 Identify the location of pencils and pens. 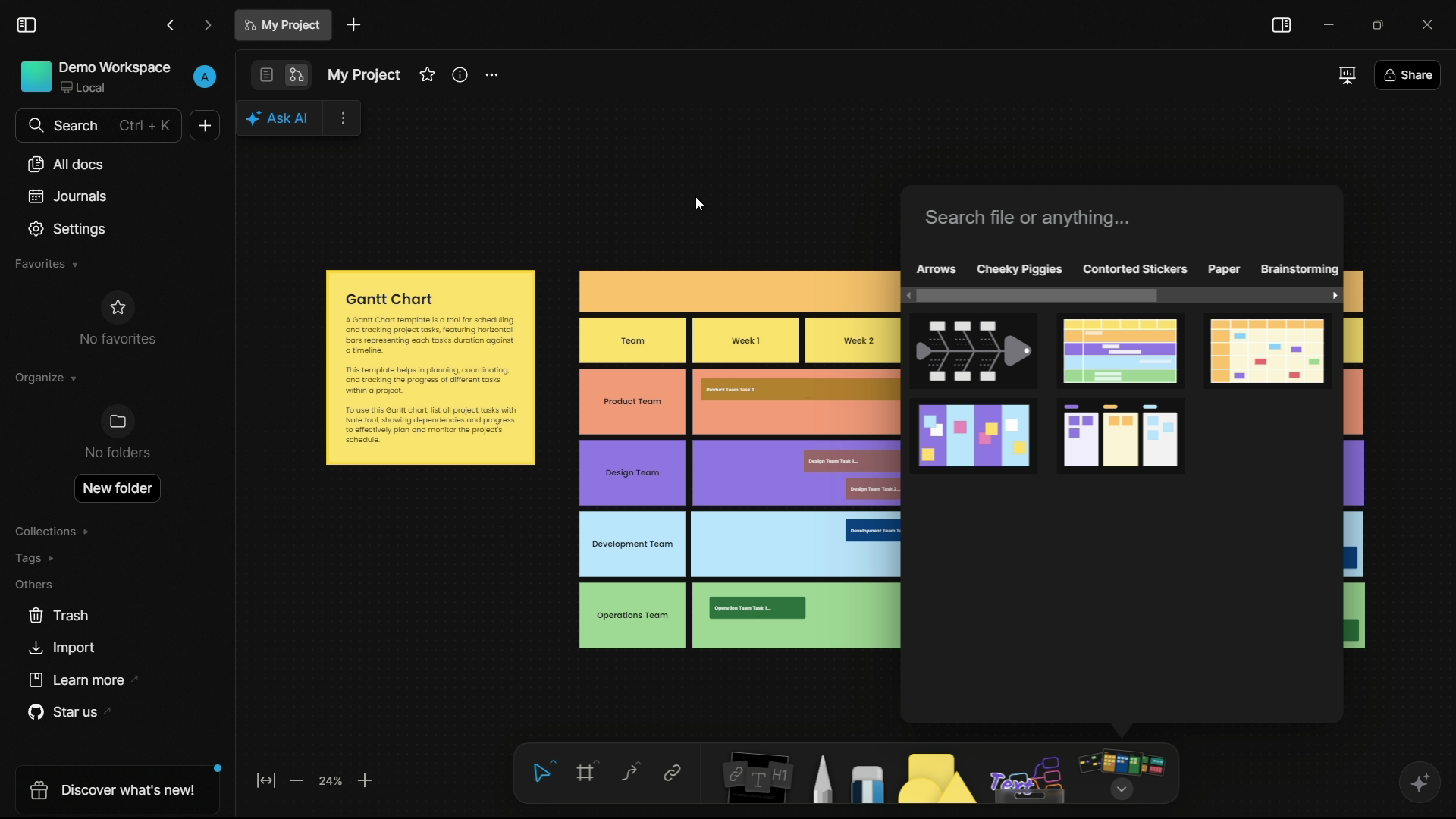
(824, 779).